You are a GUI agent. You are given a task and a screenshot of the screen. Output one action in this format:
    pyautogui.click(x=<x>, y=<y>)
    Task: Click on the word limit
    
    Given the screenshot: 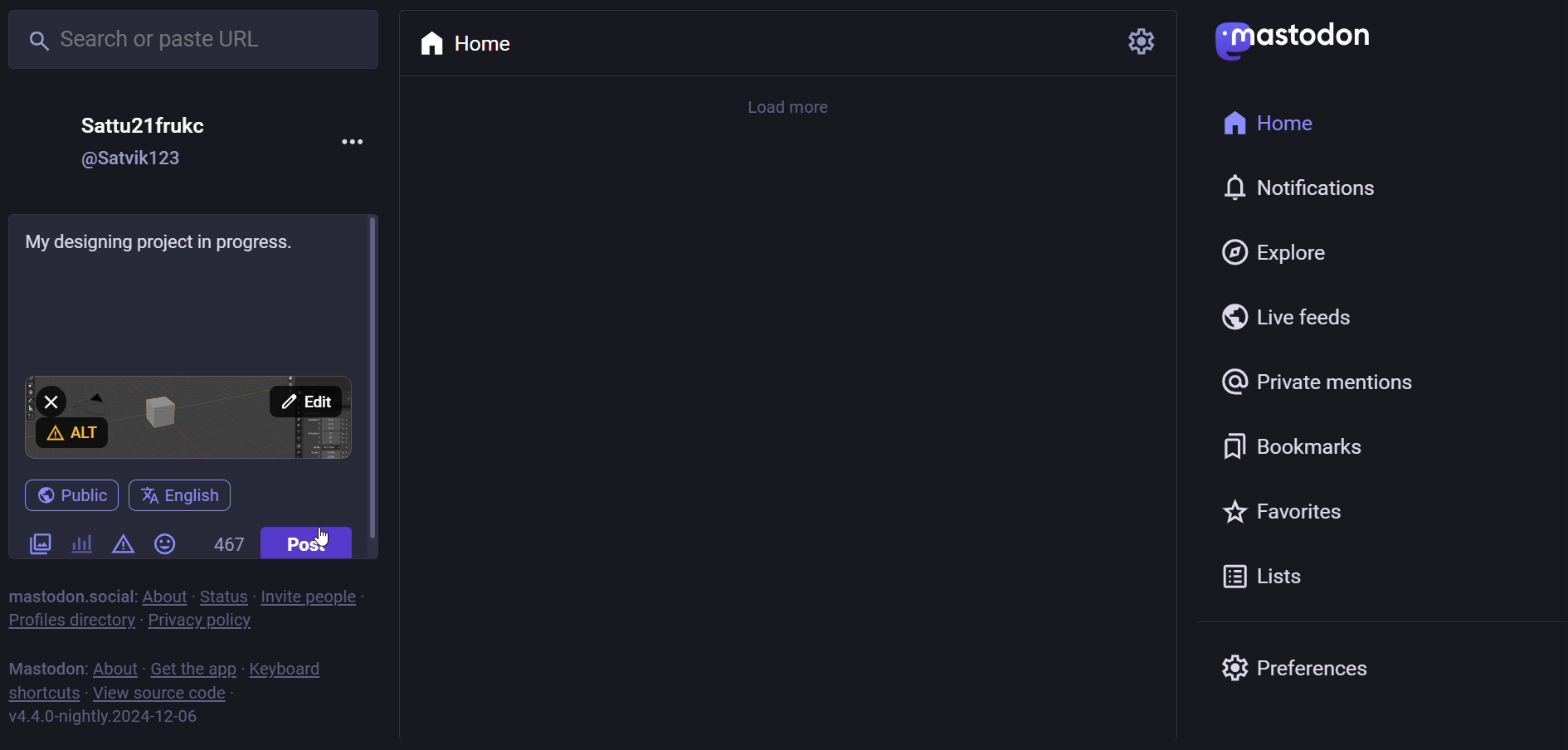 What is the action you would take?
    pyautogui.click(x=228, y=546)
    